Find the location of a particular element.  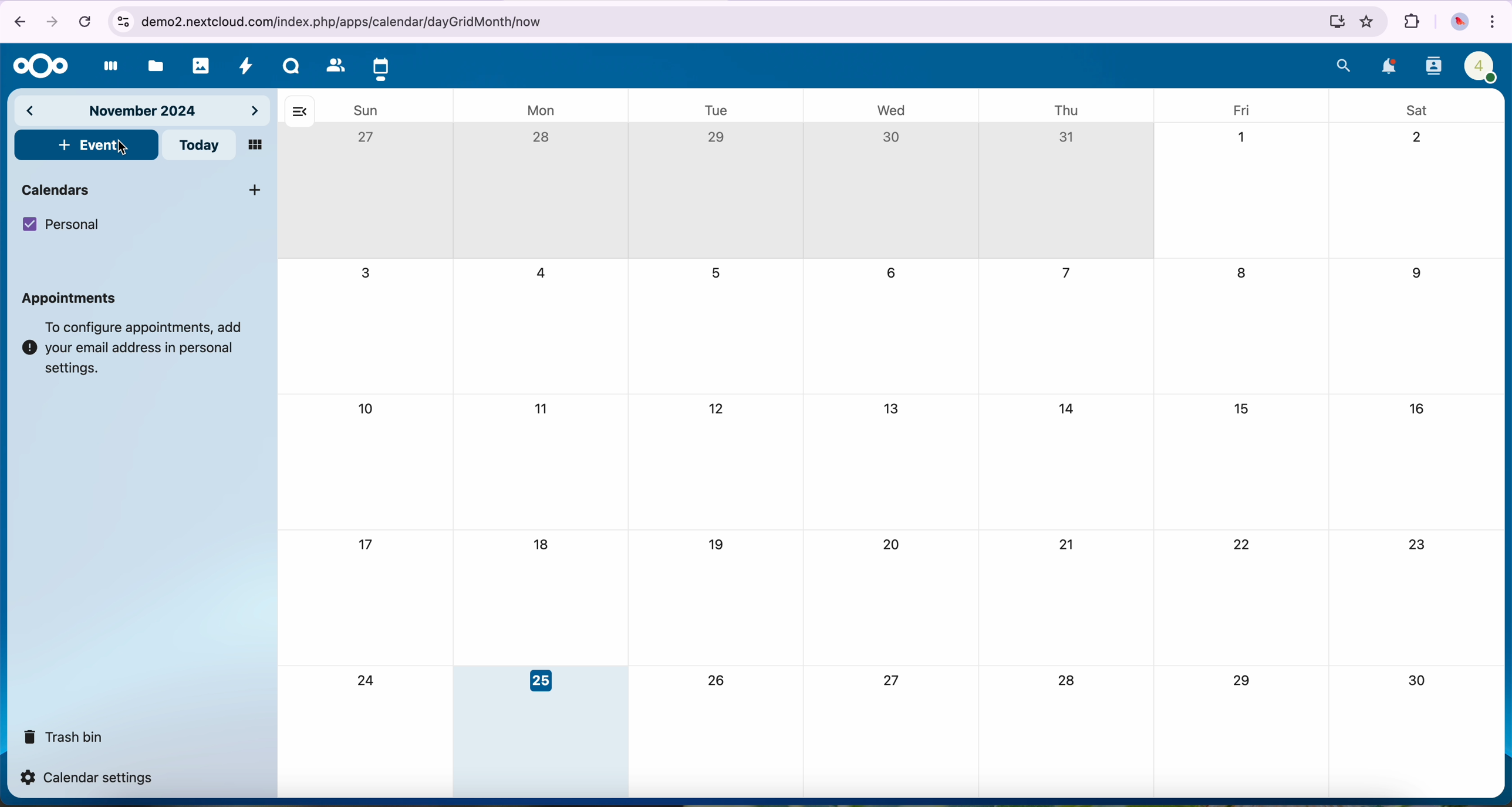

1 is located at coordinates (1241, 137).